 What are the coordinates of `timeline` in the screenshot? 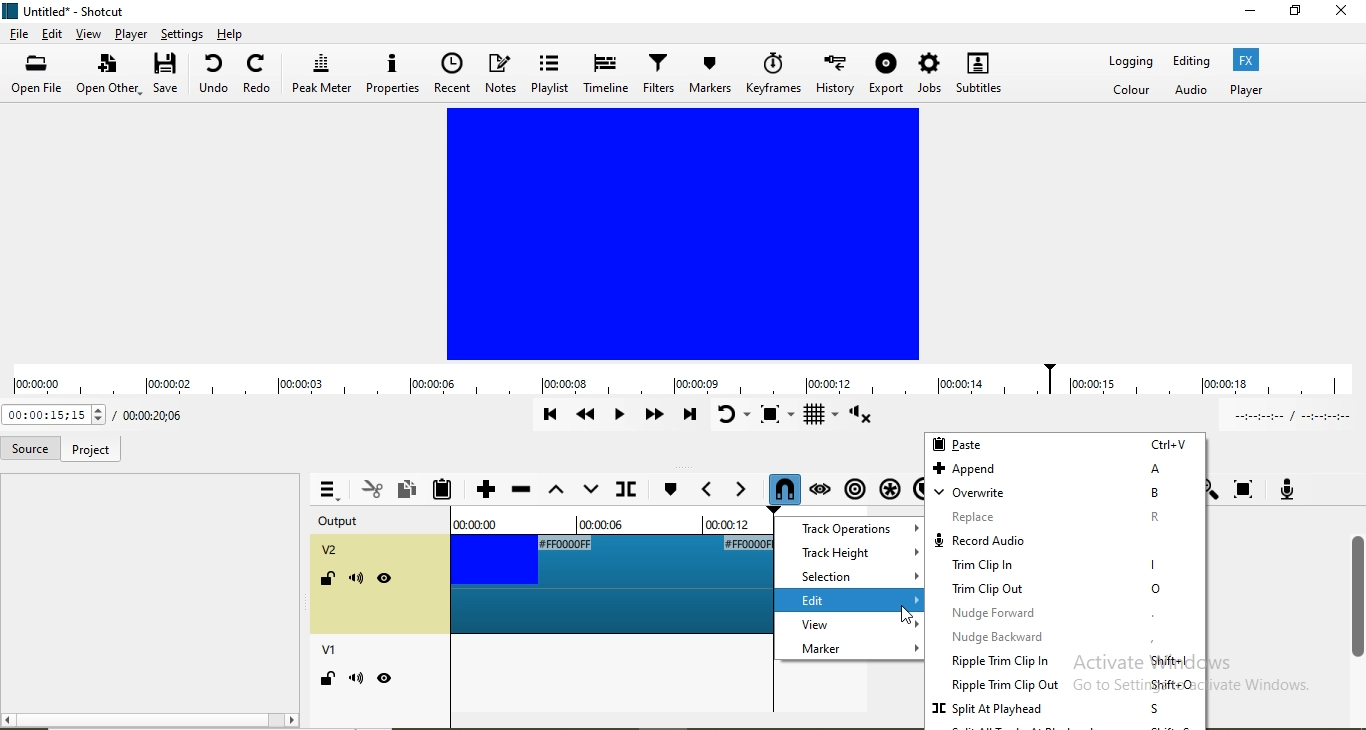 It's located at (604, 72).